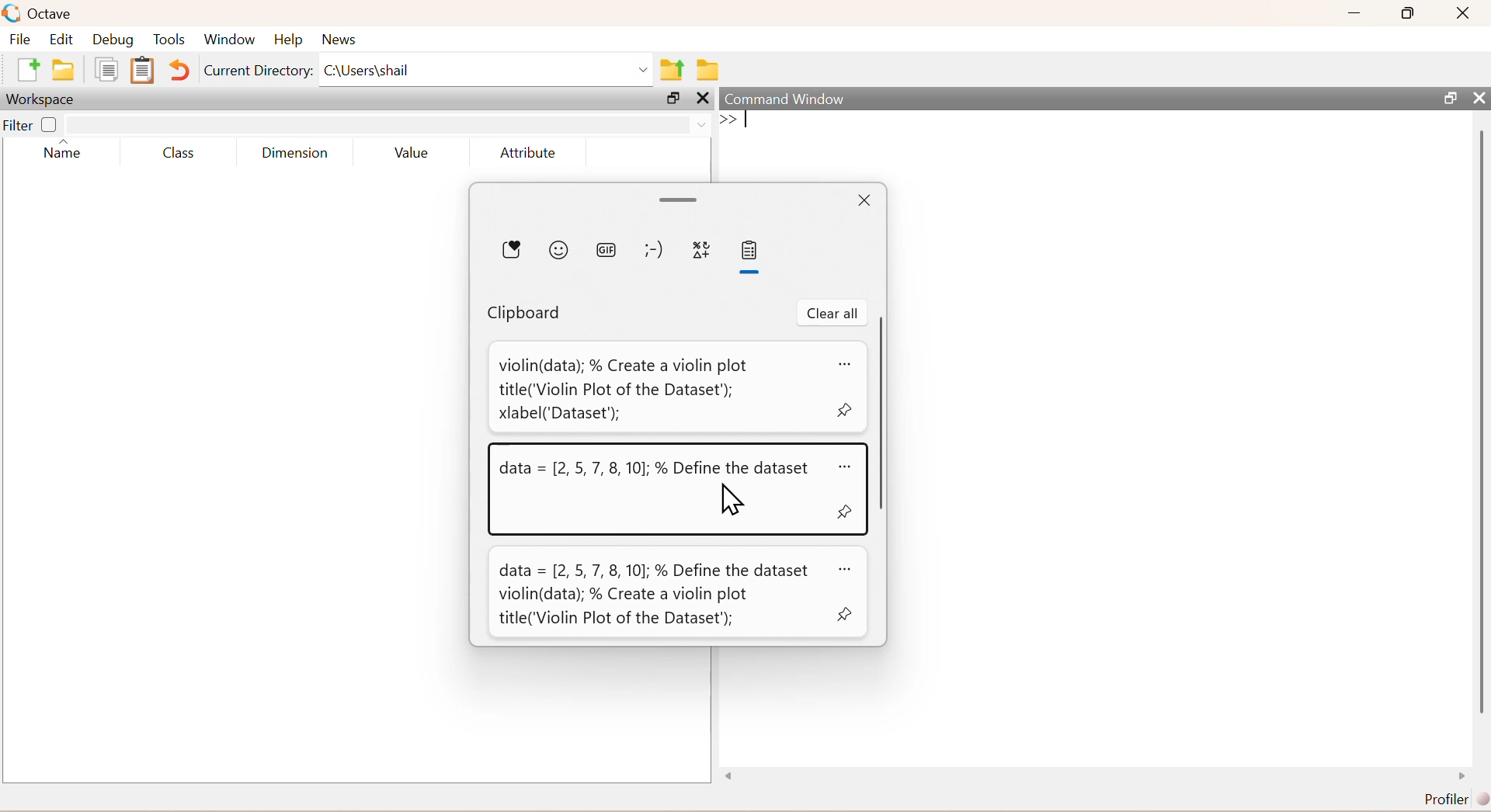 The height and width of the screenshot is (812, 1491). Describe the element at coordinates (705, 98) in the screenshot. I see `close` at that location.